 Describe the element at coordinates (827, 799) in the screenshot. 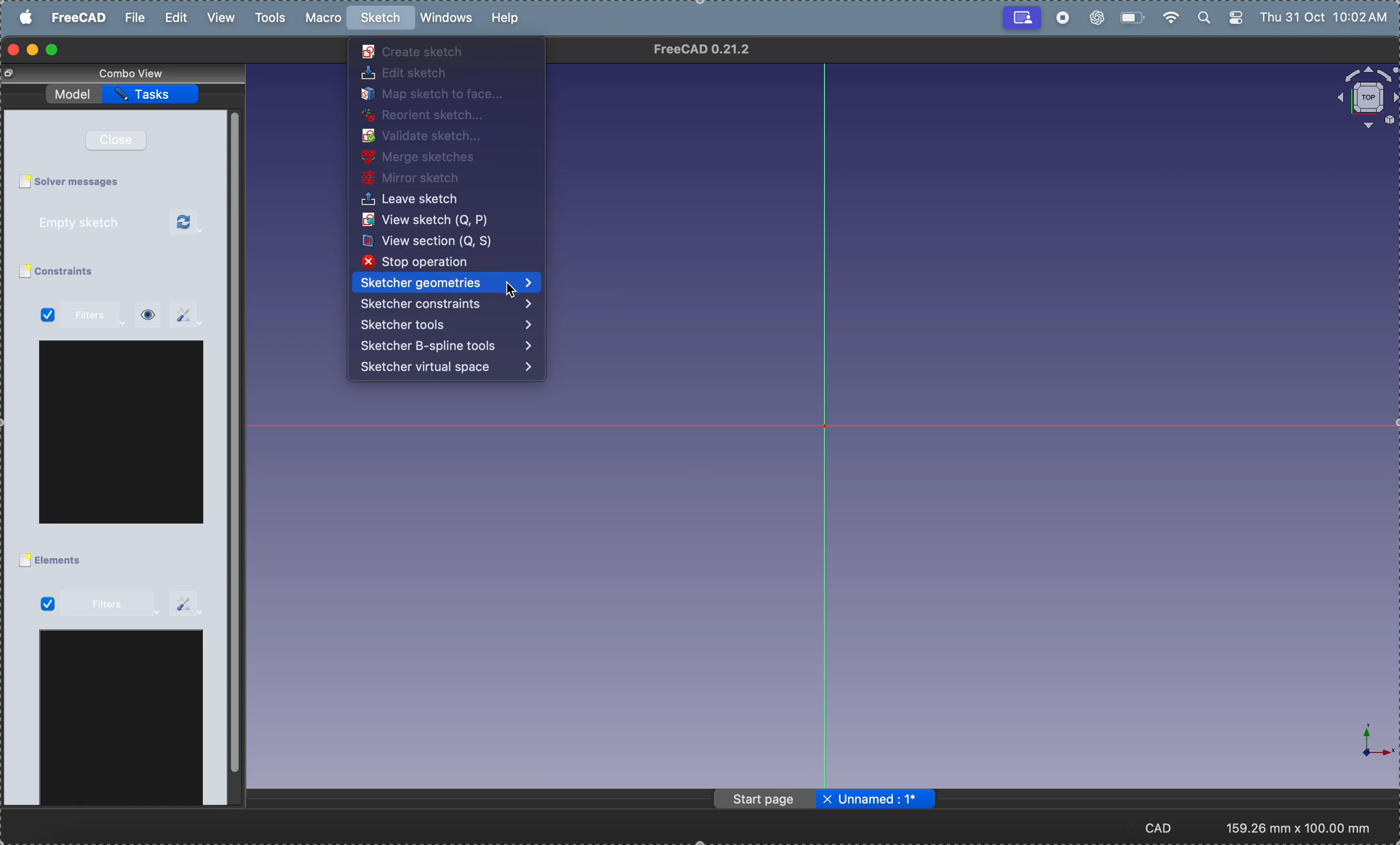

I see `close file` at that location.